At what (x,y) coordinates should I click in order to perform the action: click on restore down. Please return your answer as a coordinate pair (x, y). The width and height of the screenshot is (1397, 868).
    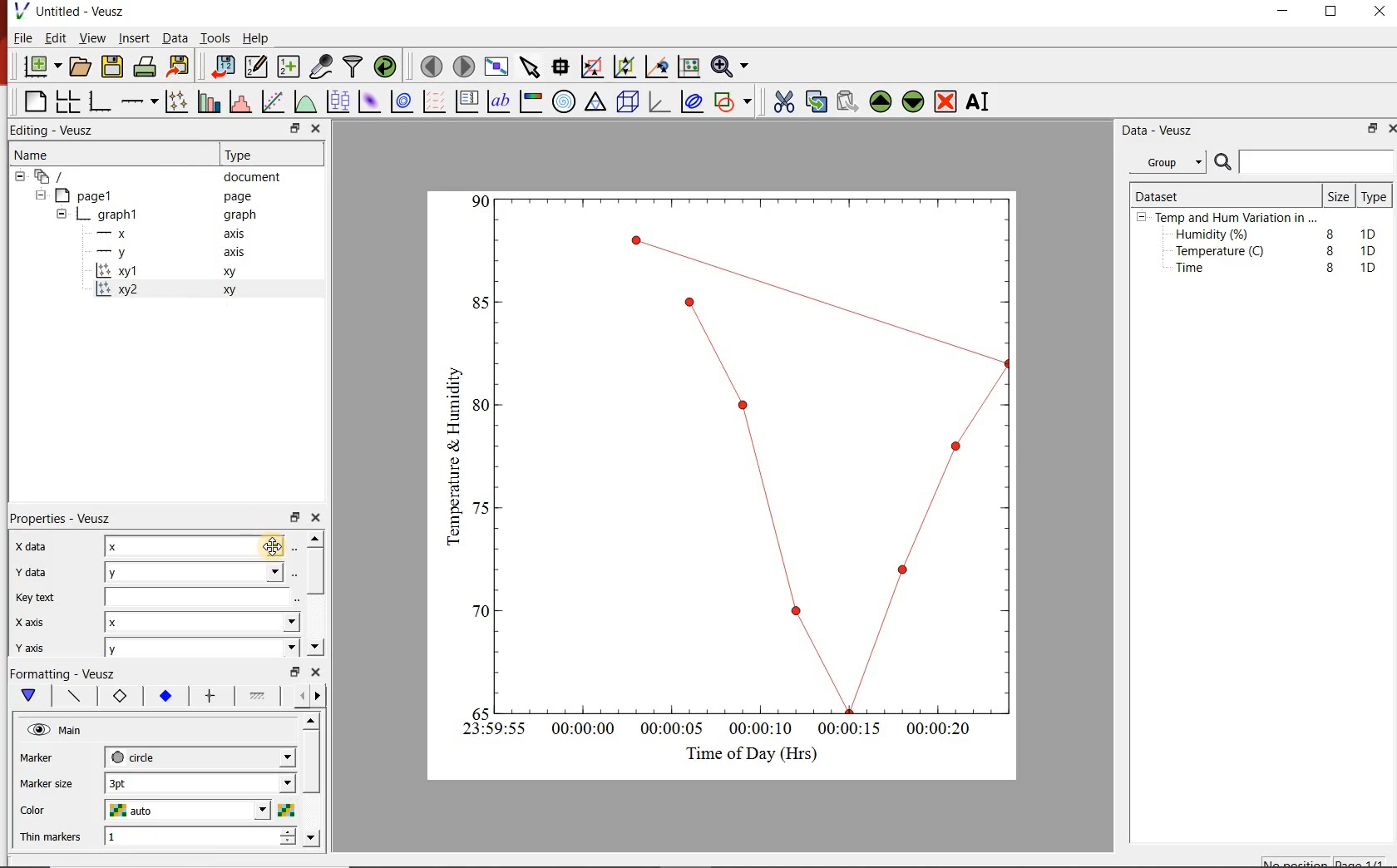
    Looking at the image, I should click on (1369, 131).